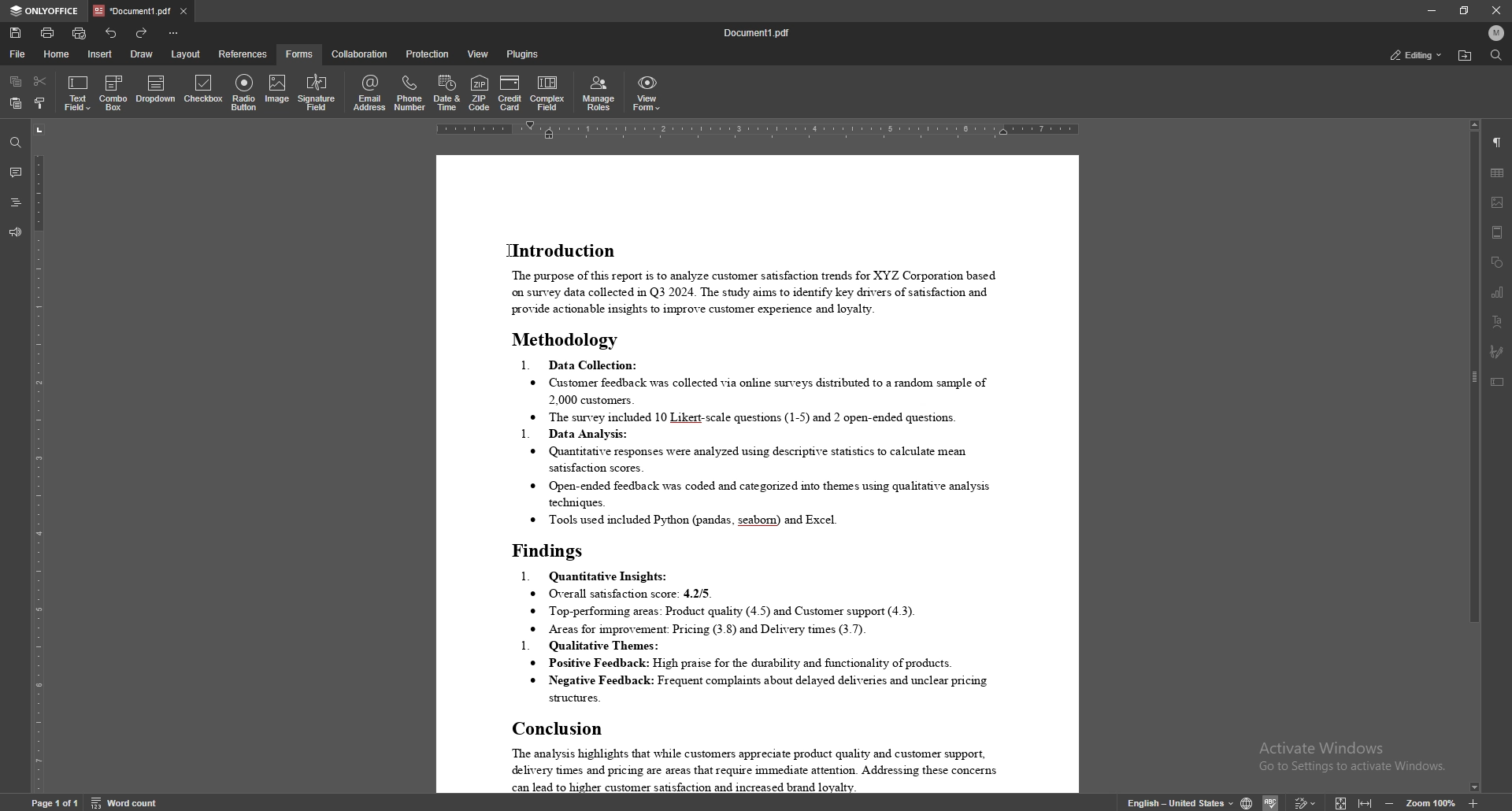  What do you see at coordinates (1341, 802) in the screenshot?
I see `fit to screen` at bounding box center [1341, 802].